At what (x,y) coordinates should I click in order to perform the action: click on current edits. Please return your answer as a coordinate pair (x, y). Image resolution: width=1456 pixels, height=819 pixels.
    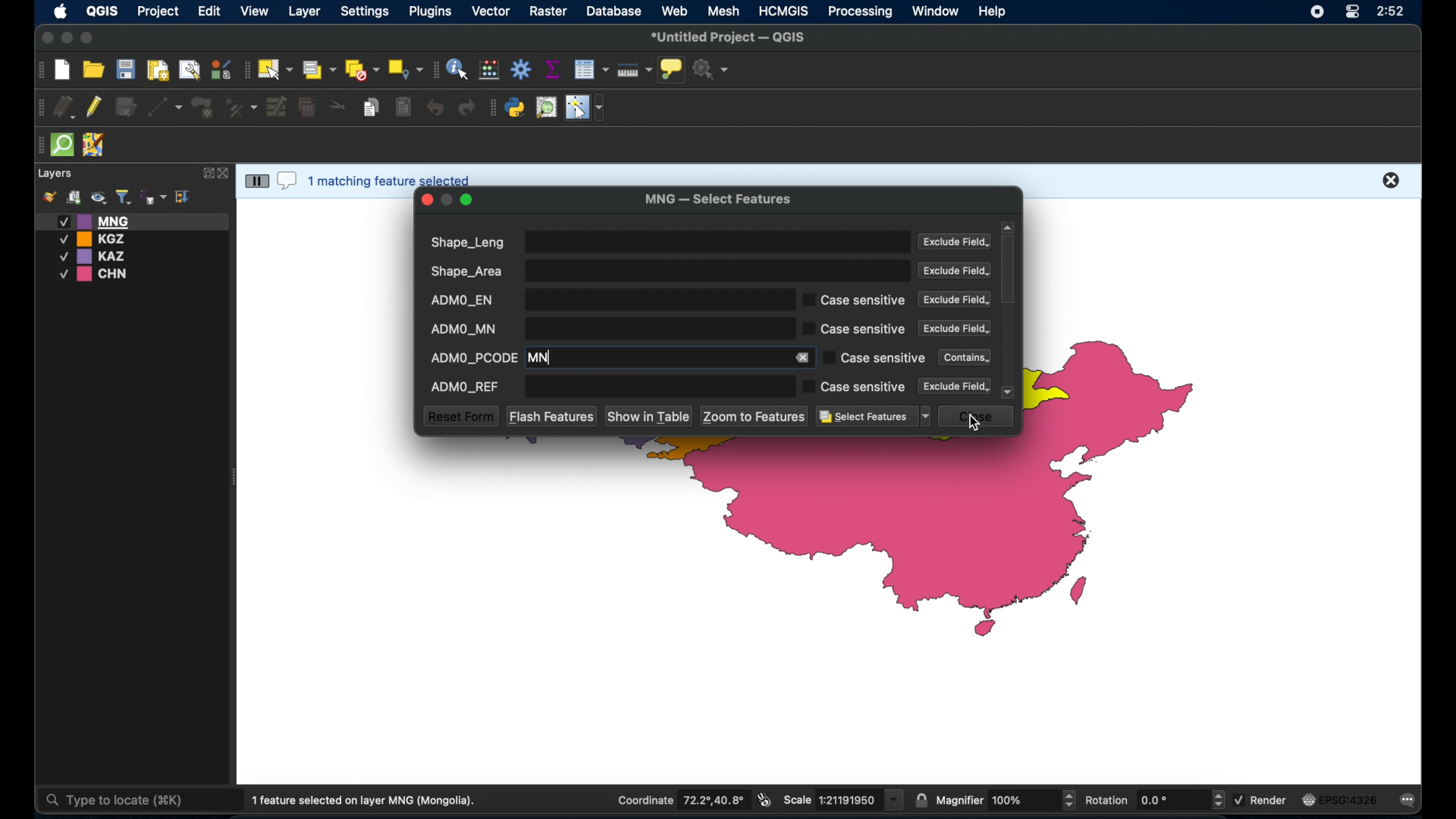
    Looking at the image, I should click on (64, 106).